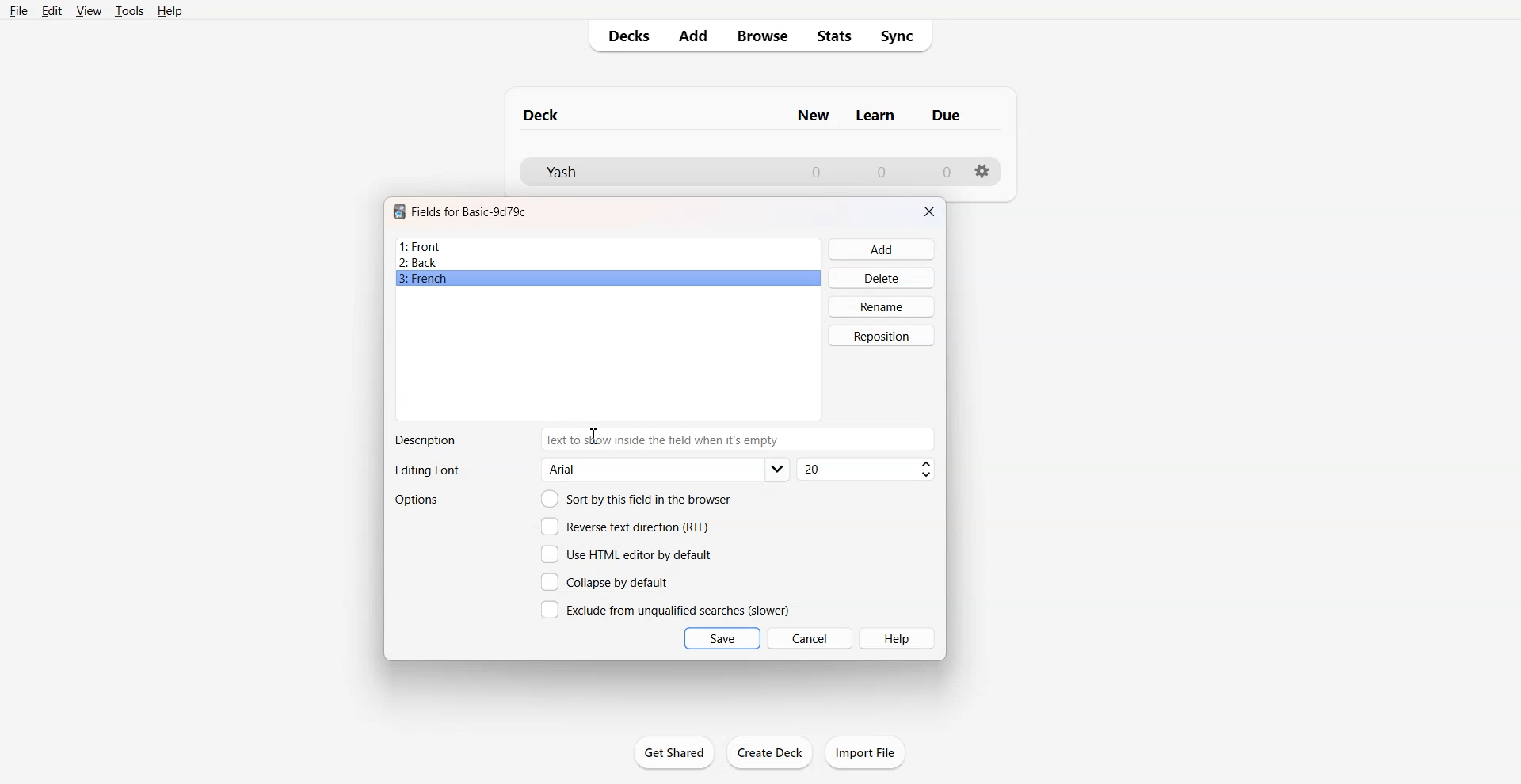  Describe the element at coordinates (425, 440) in the screenshot. I see `Text` at that location.